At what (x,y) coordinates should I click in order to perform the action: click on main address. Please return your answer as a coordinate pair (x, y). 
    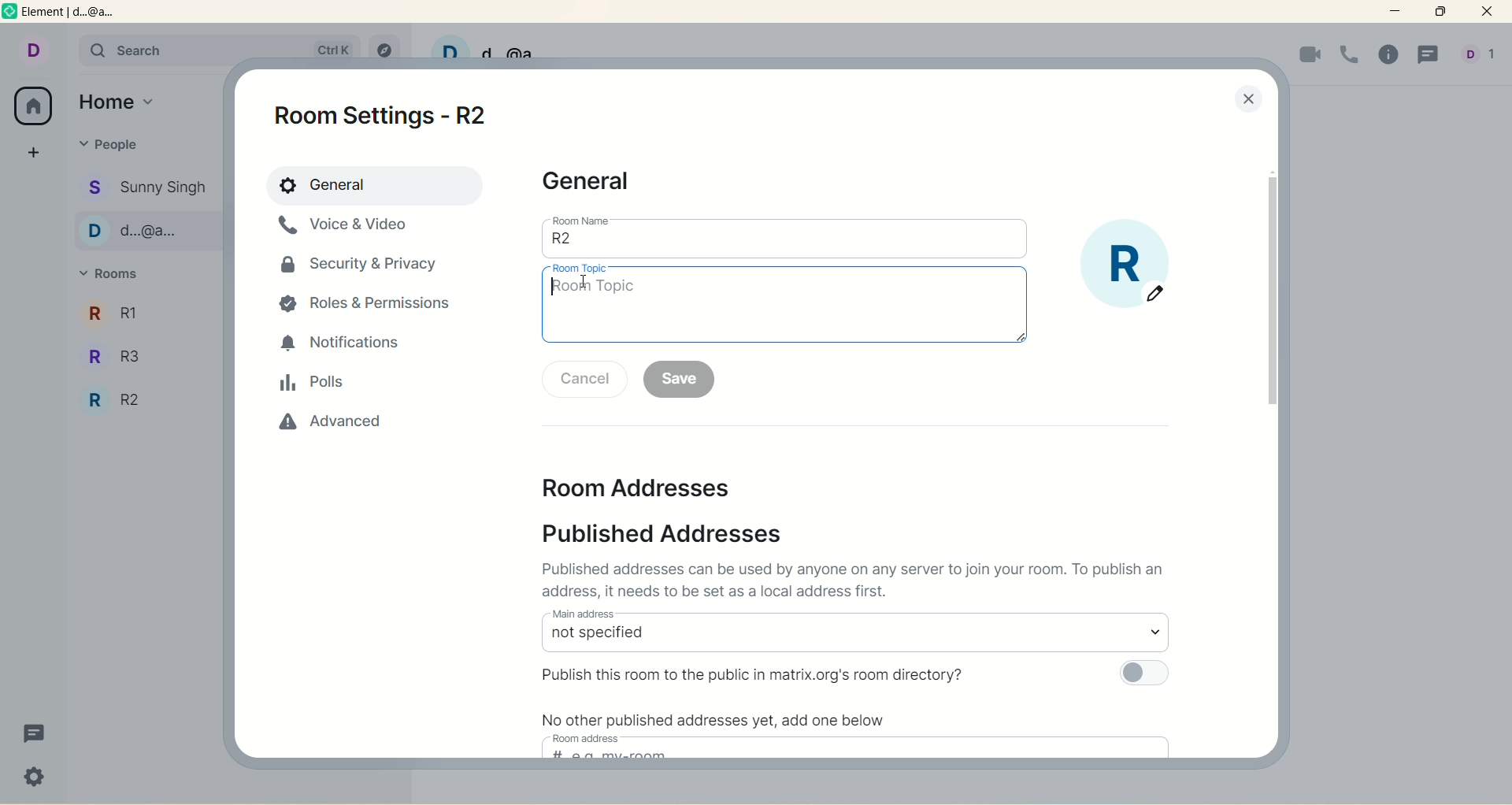
    Looking at the image, I should click on (583, 613).